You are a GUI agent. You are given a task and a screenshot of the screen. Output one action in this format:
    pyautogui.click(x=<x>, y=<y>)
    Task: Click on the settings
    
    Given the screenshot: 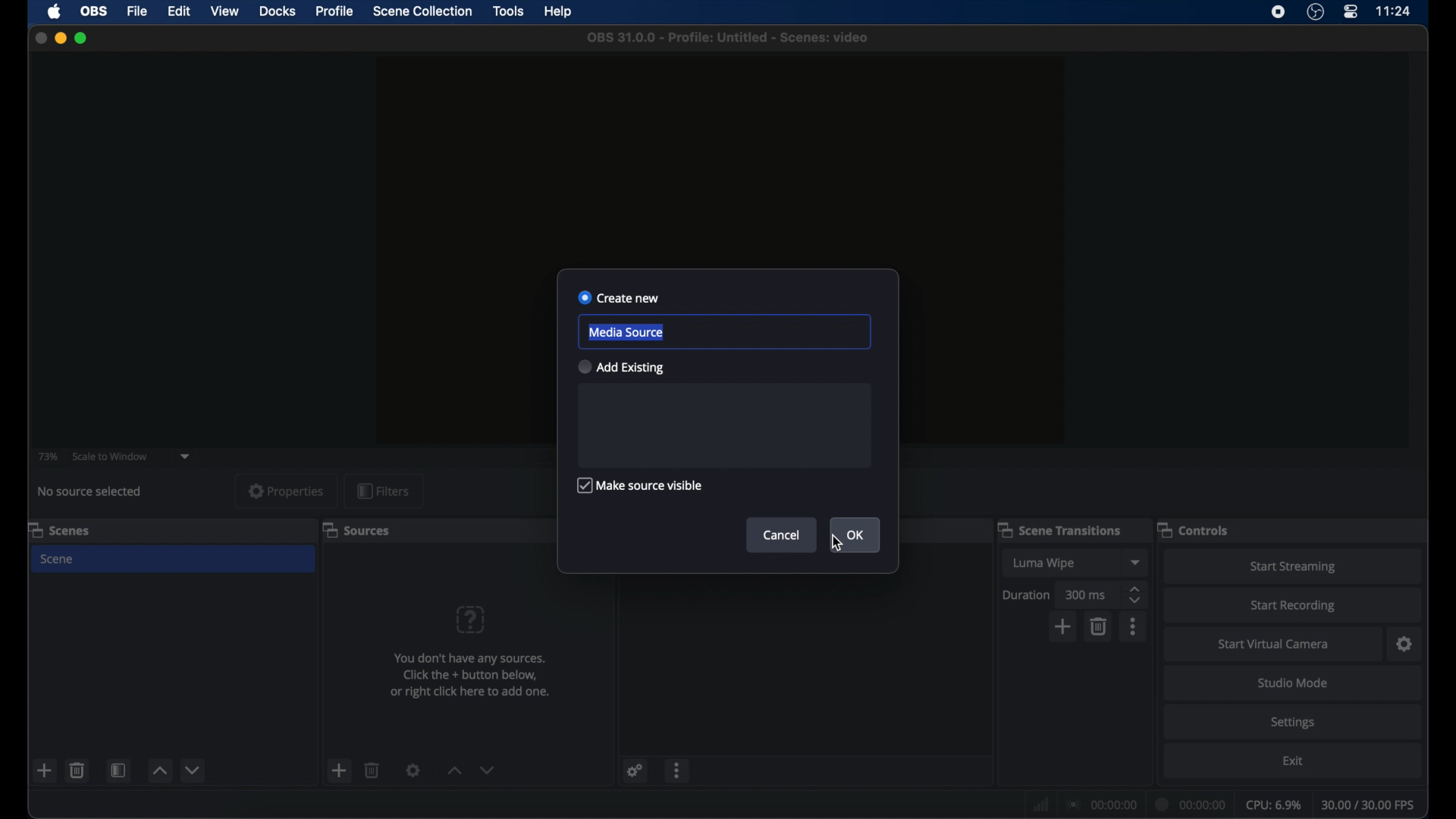 What is the action you would take?
    pyautogui.click(x=413, y=770)
    